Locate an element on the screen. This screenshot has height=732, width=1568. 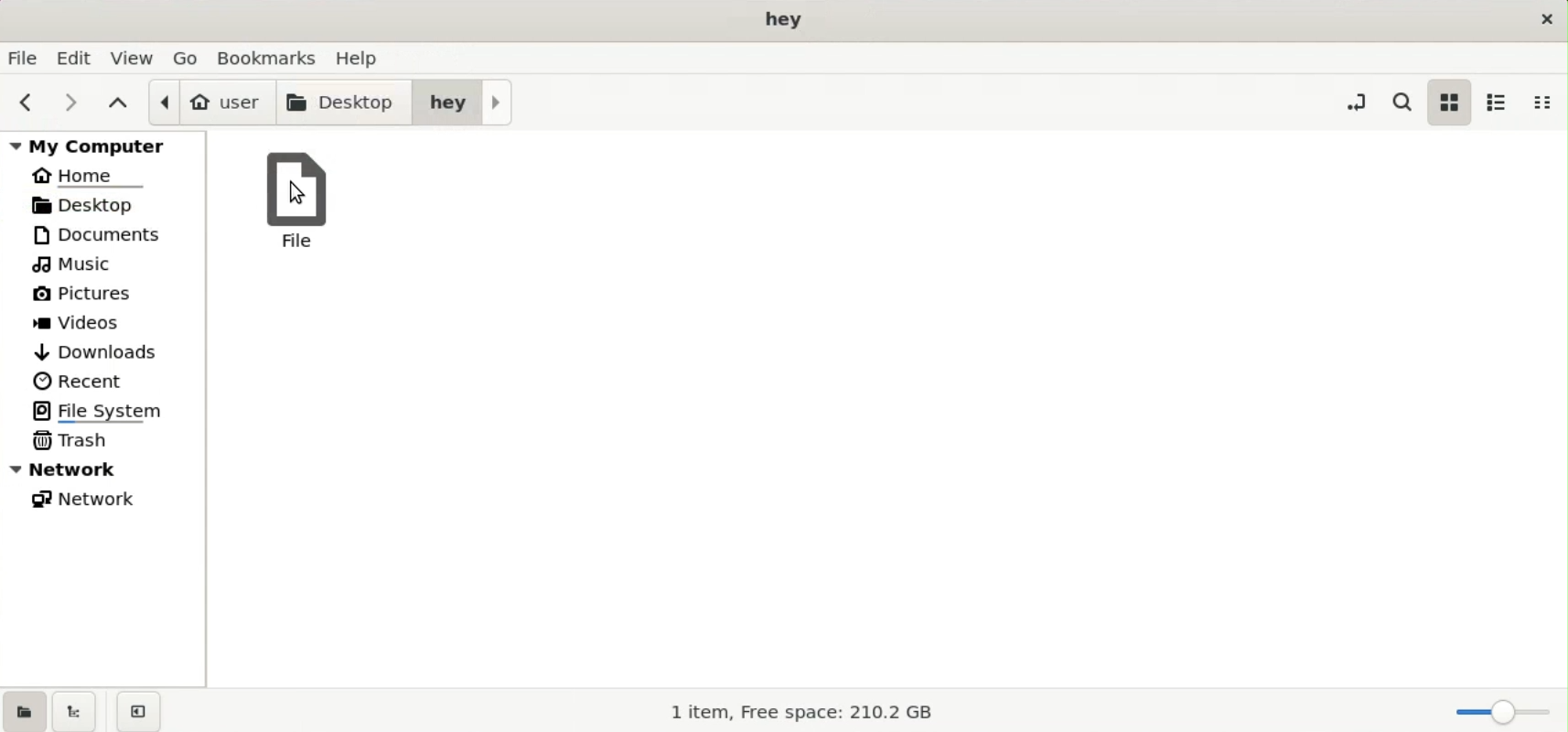
previous is located at coordinates (23, 102).